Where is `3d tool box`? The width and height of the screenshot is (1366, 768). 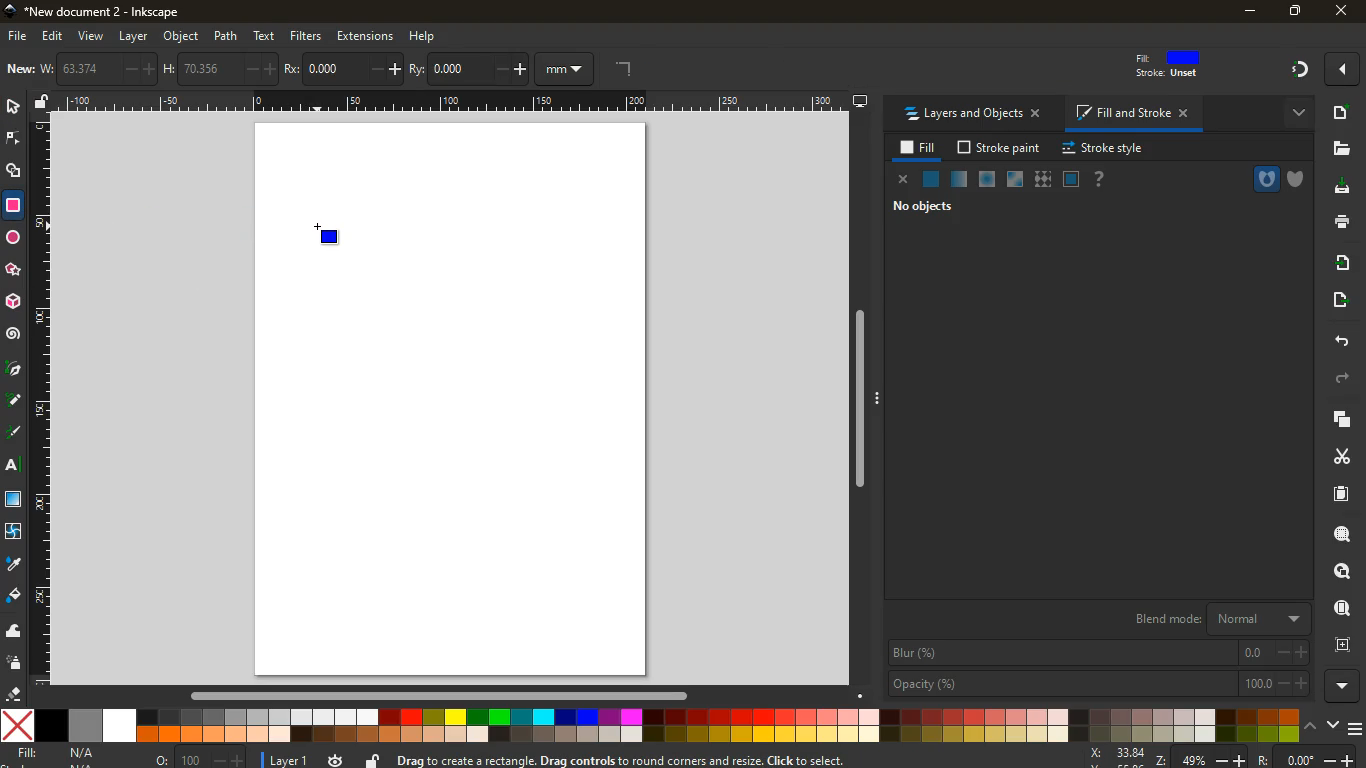
3d tool box is located at coordinates (13, 303).